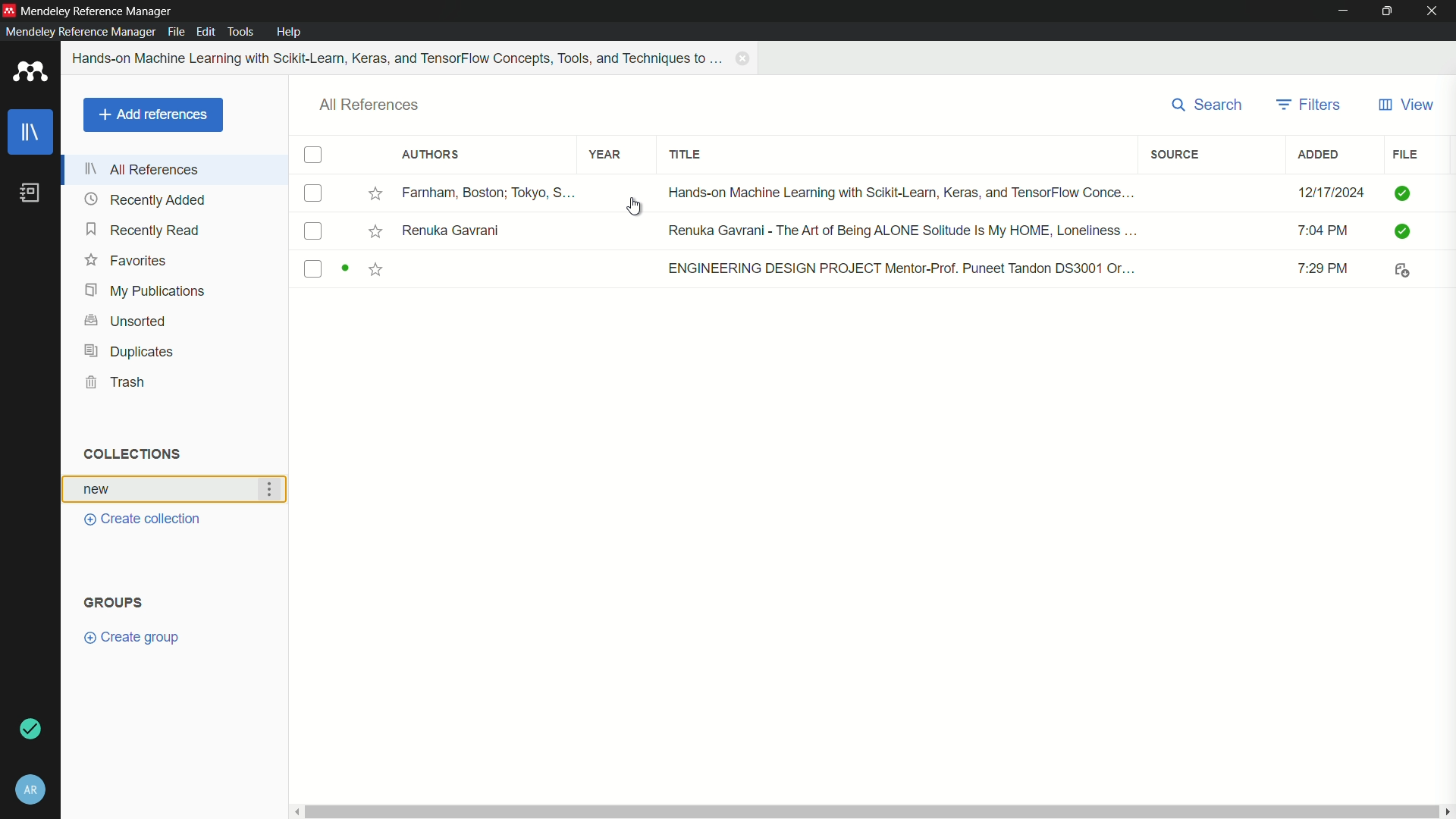  What do you see at coordinates (80, 31) in the screenshot?
I see `mendeley reference manager` at bounding box center [80, 31].